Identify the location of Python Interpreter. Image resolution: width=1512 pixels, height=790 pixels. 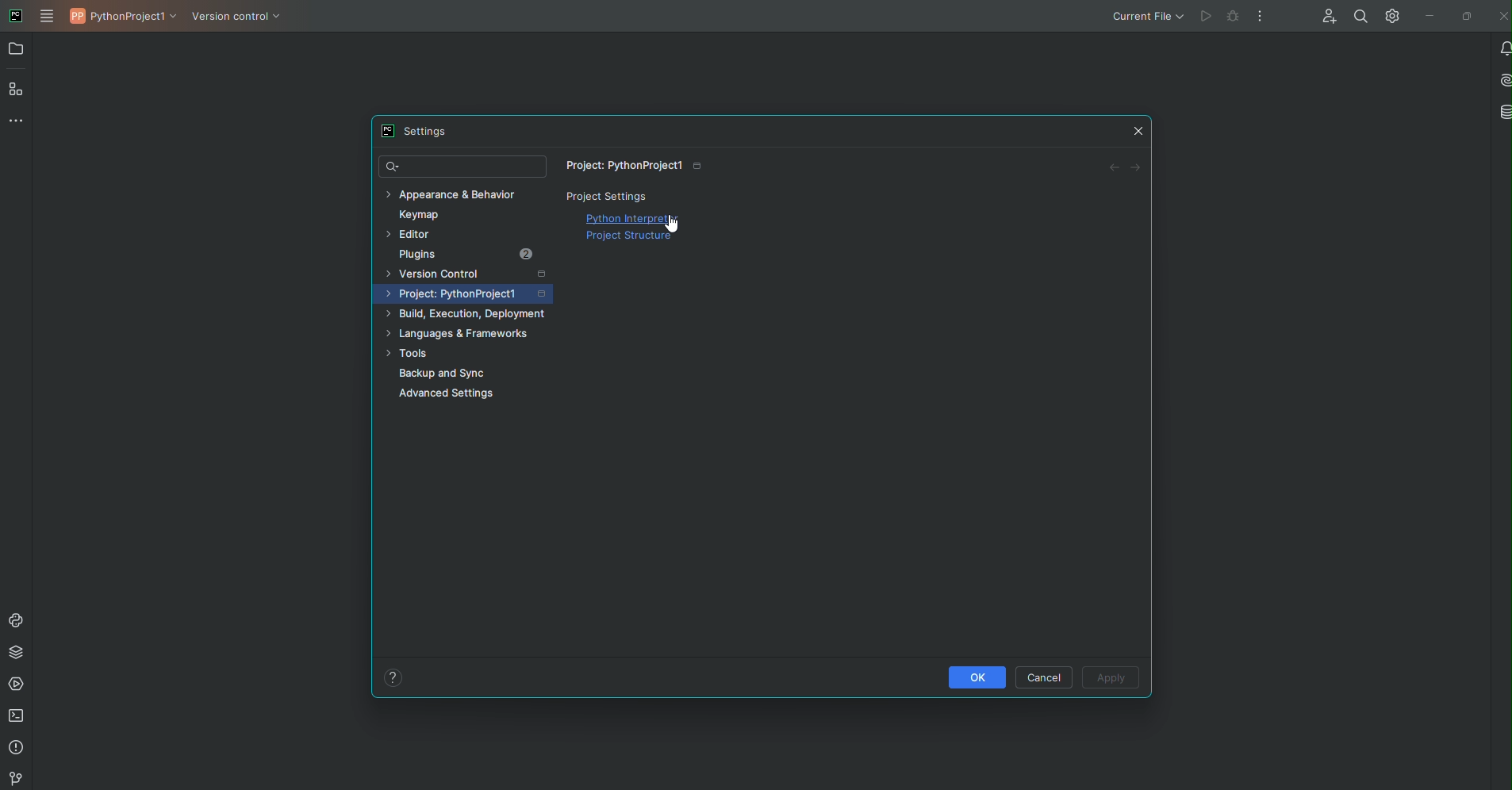
(636, 217).